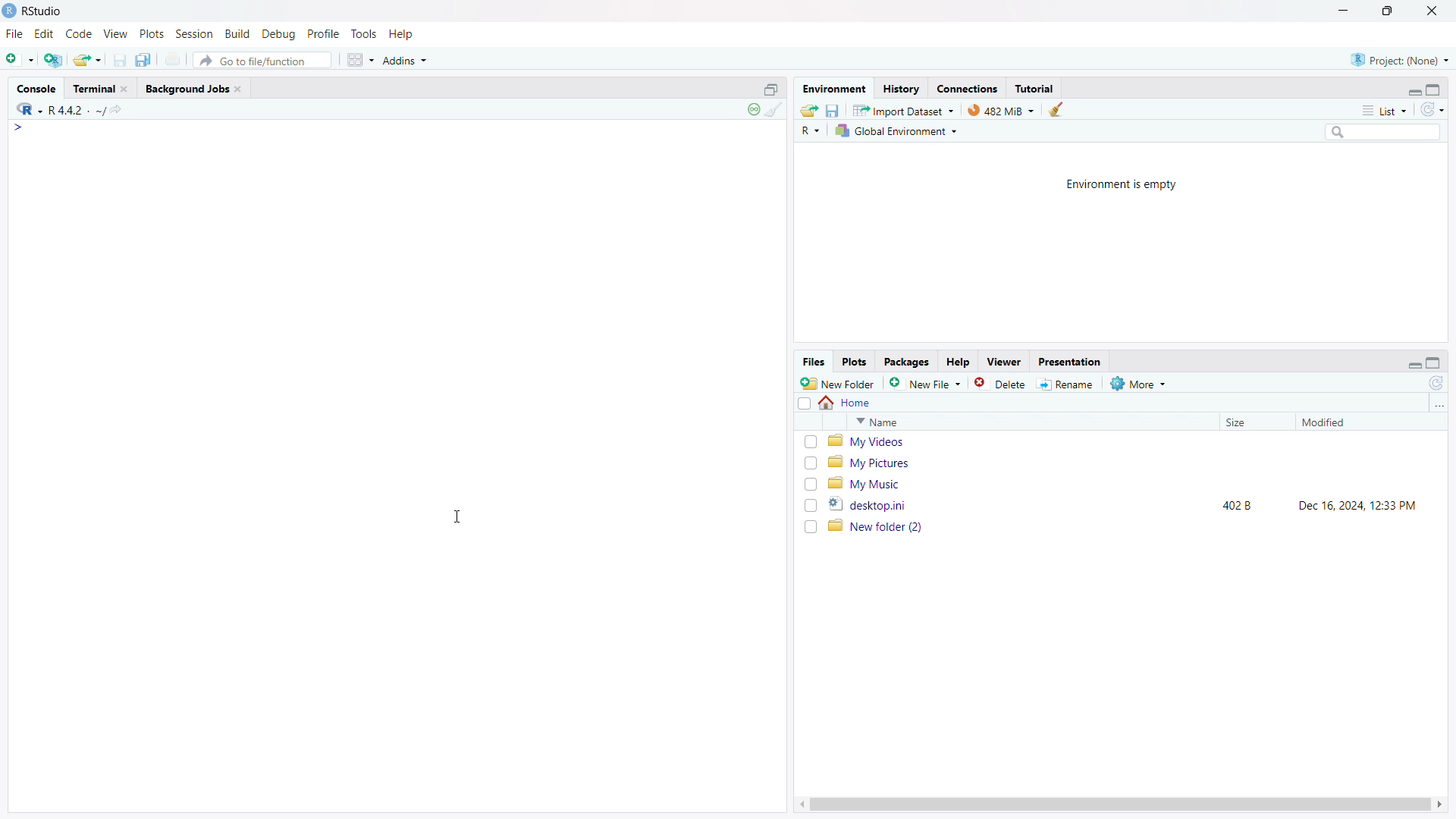 This screenshot has height=819, width=1456. Describe the element at coordinates (9, 11) in the screenshot. I see `rstudio logo` at that location.